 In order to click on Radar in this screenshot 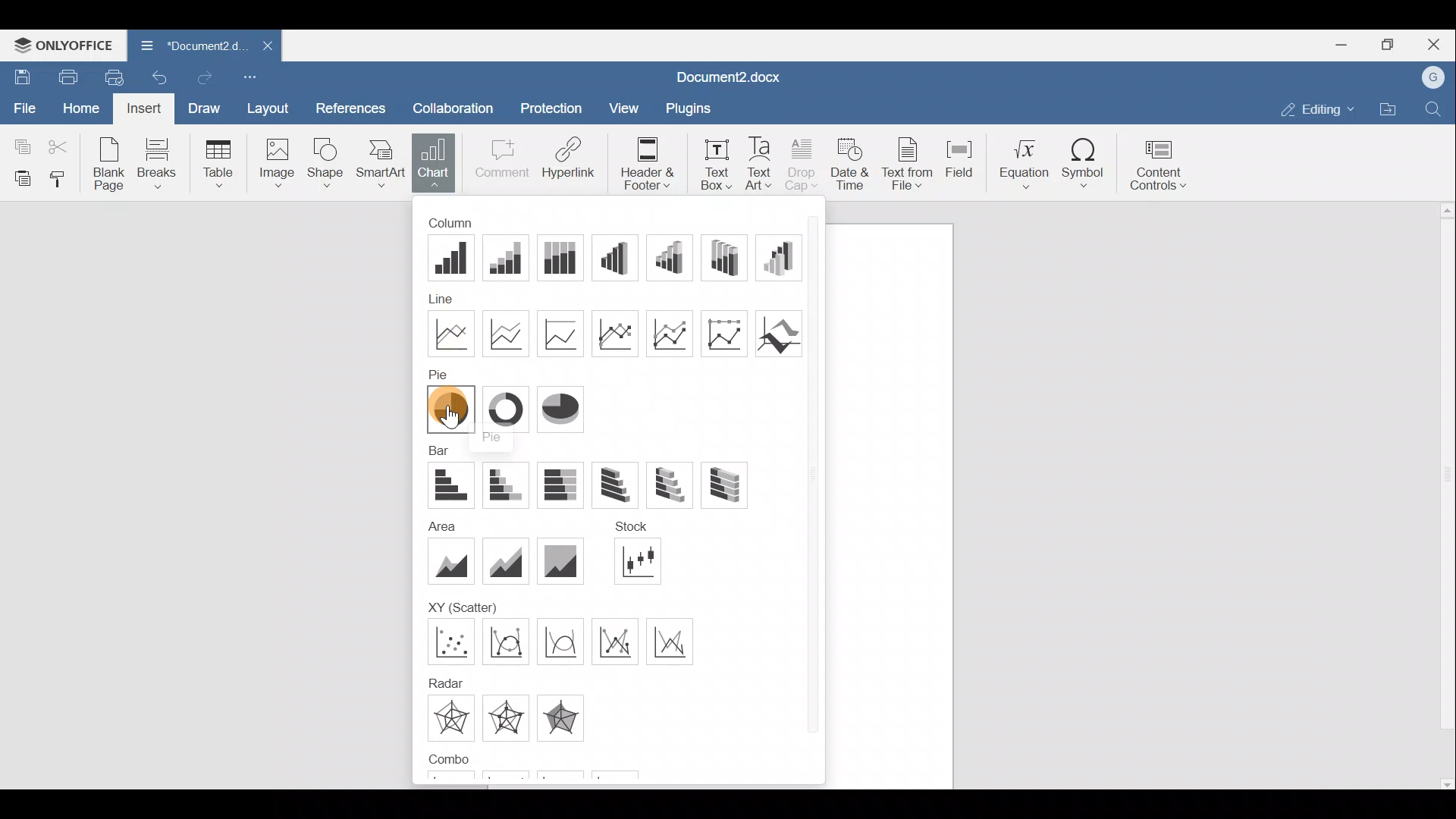, I will do `click(670, 639)`.